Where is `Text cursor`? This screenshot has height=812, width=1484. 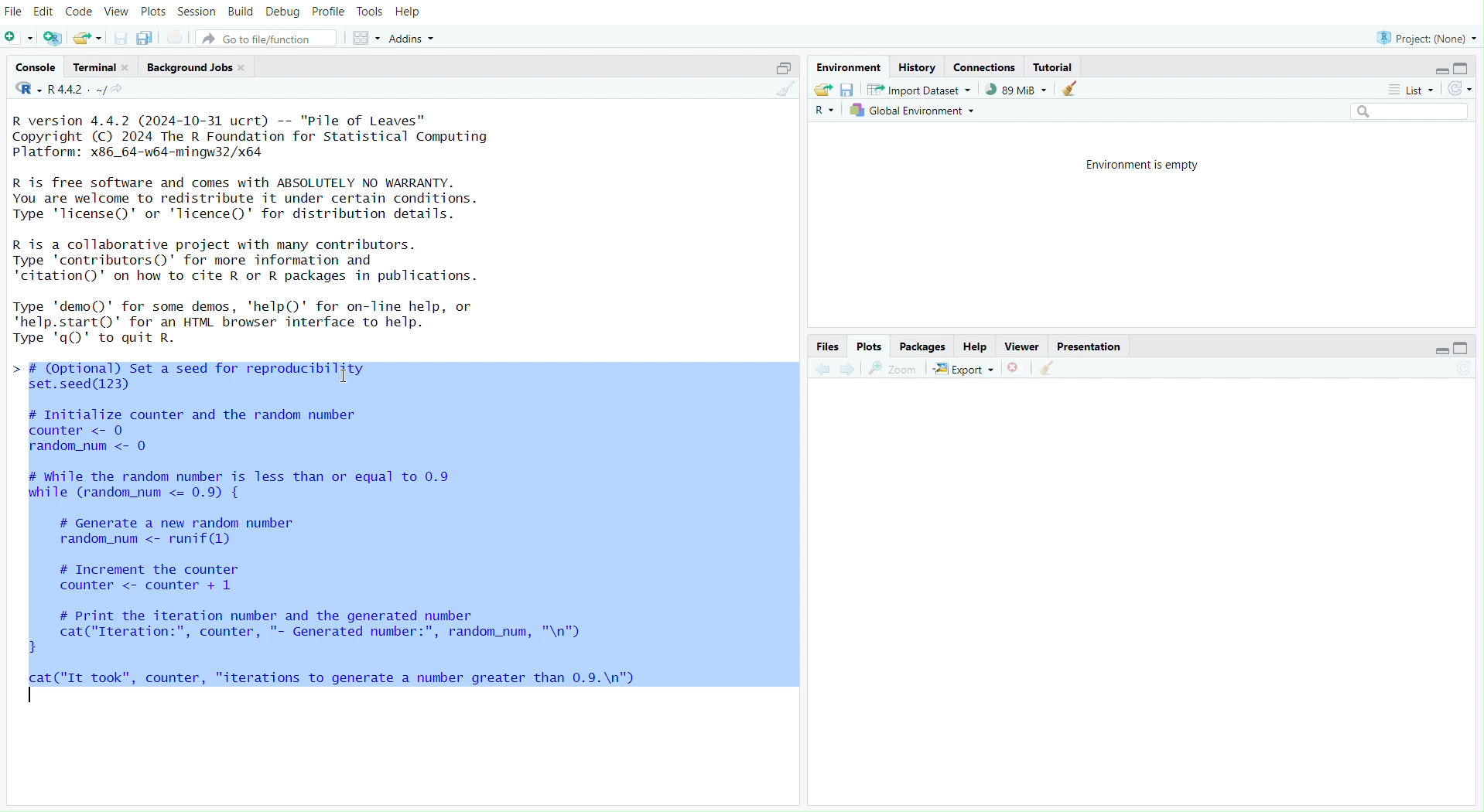
Text cursor is located at coordinates (334, 374).